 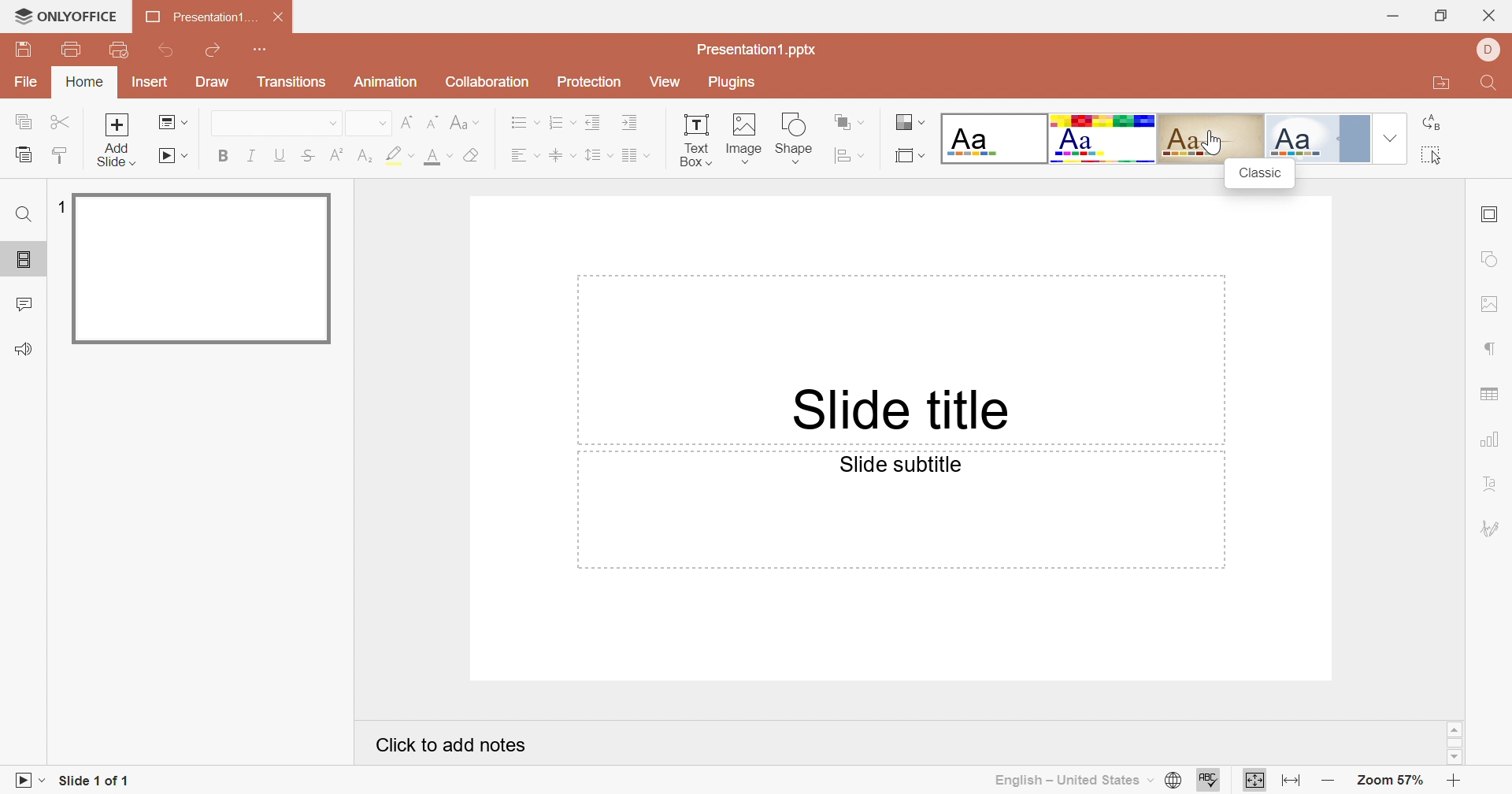 I want to click on Presentation1.pptx, so click(x=760, y=47).